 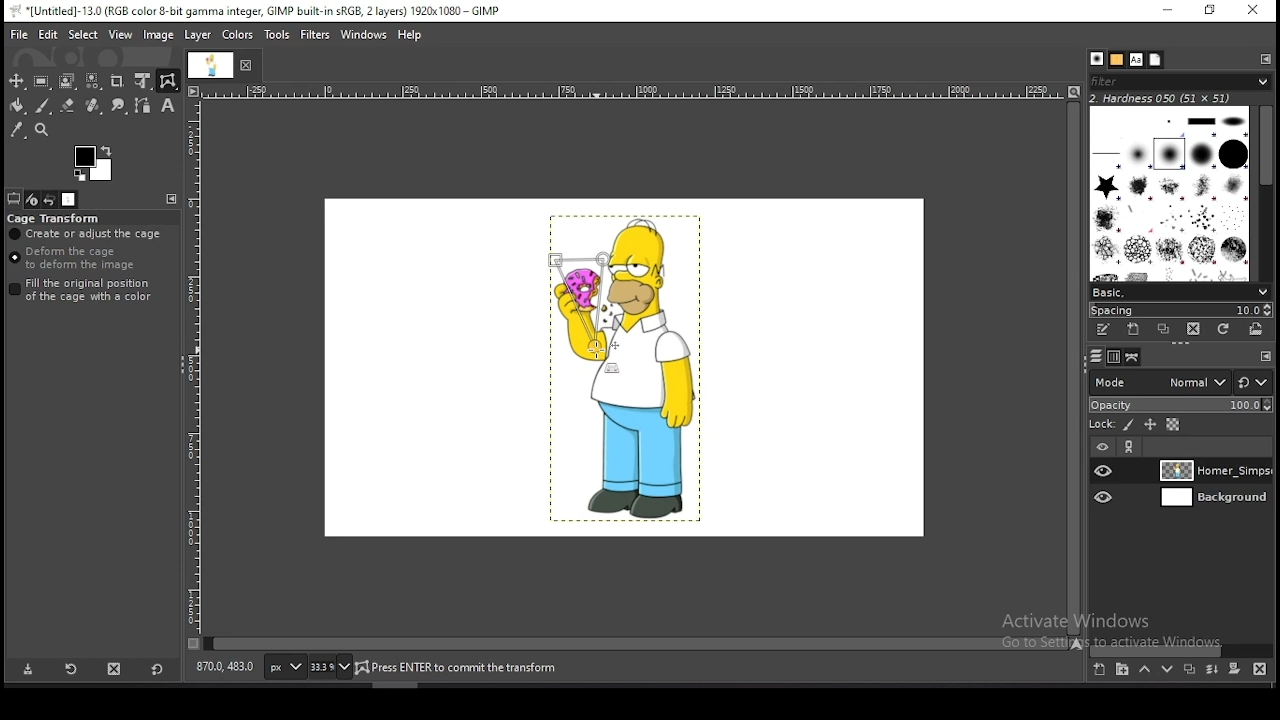 I want to click on crop tool, so click(x=119, y=81).